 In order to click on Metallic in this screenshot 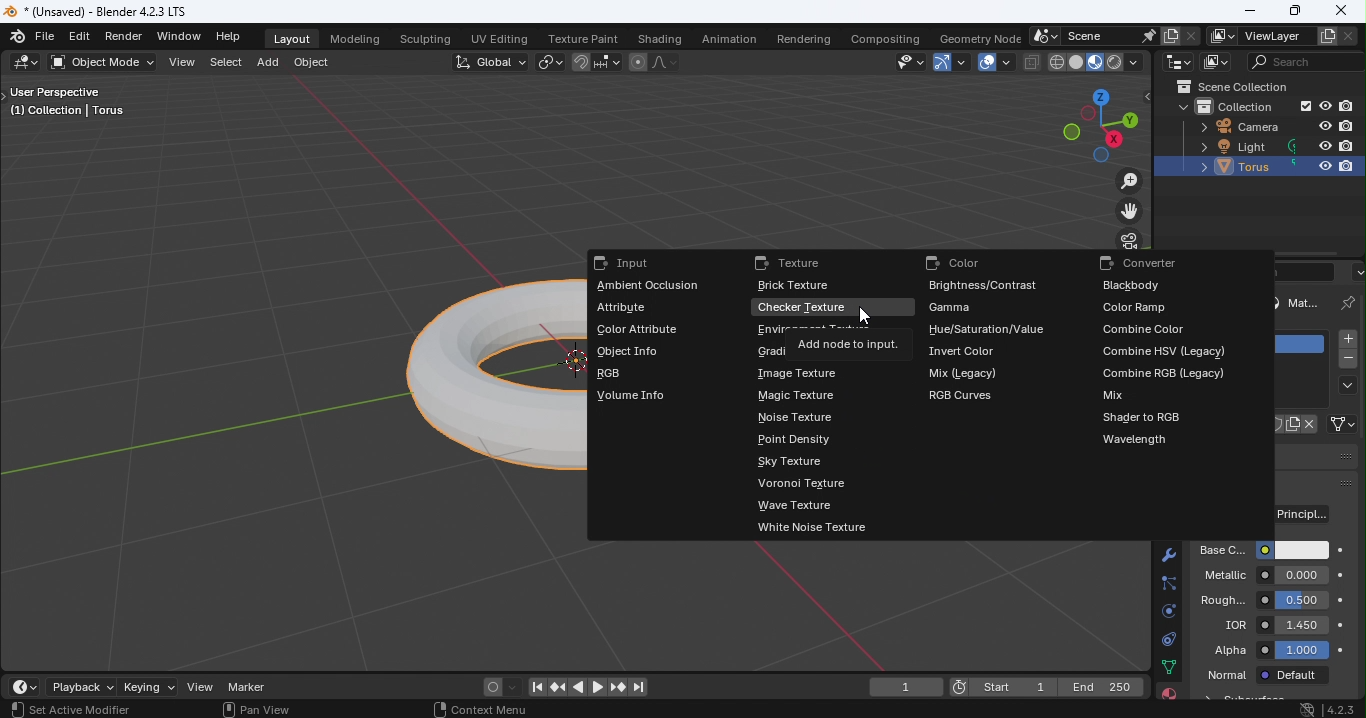, I will do `click(1260, 576)`.